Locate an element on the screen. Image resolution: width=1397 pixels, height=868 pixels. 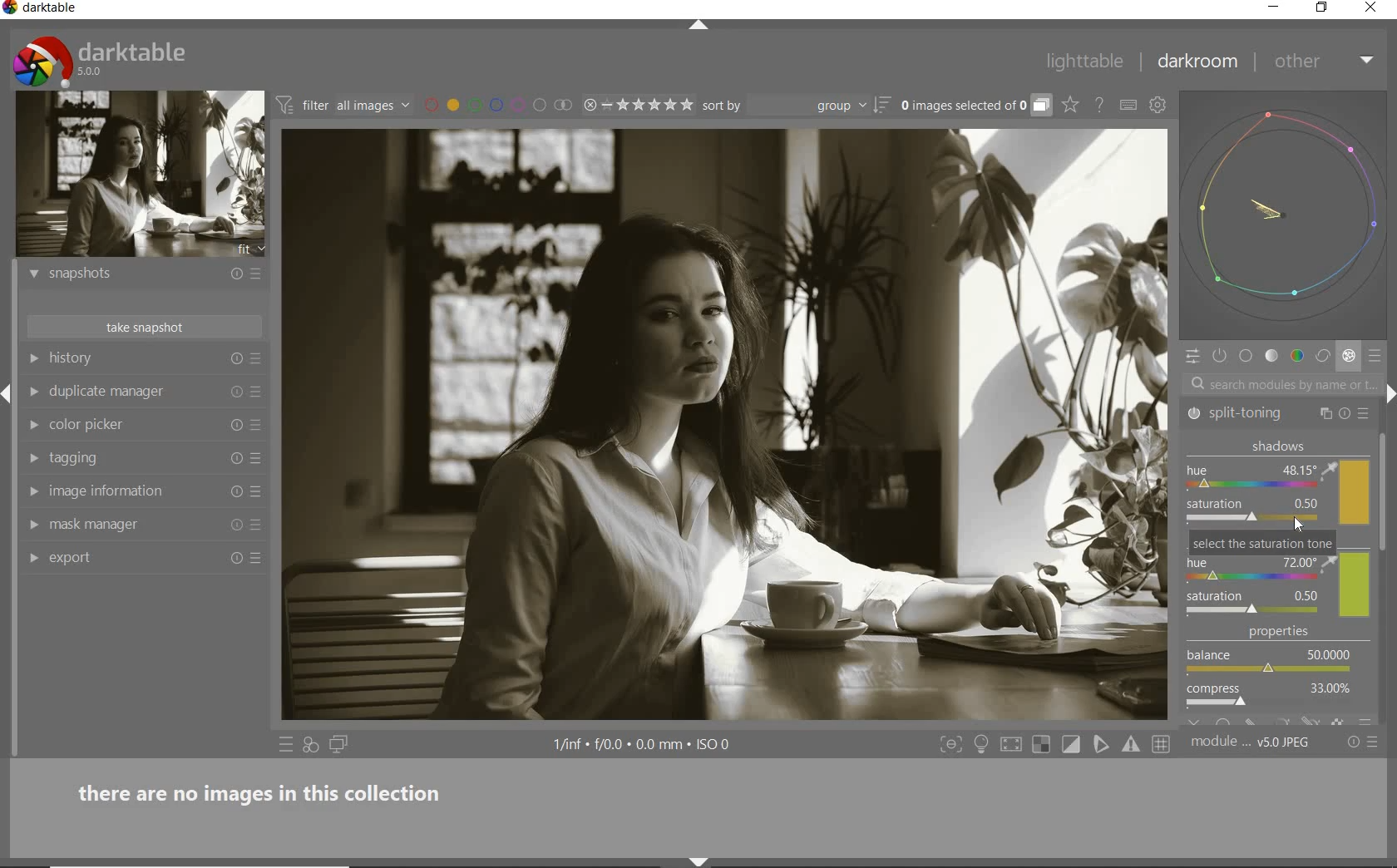
history is located at coordinates (135, 359).